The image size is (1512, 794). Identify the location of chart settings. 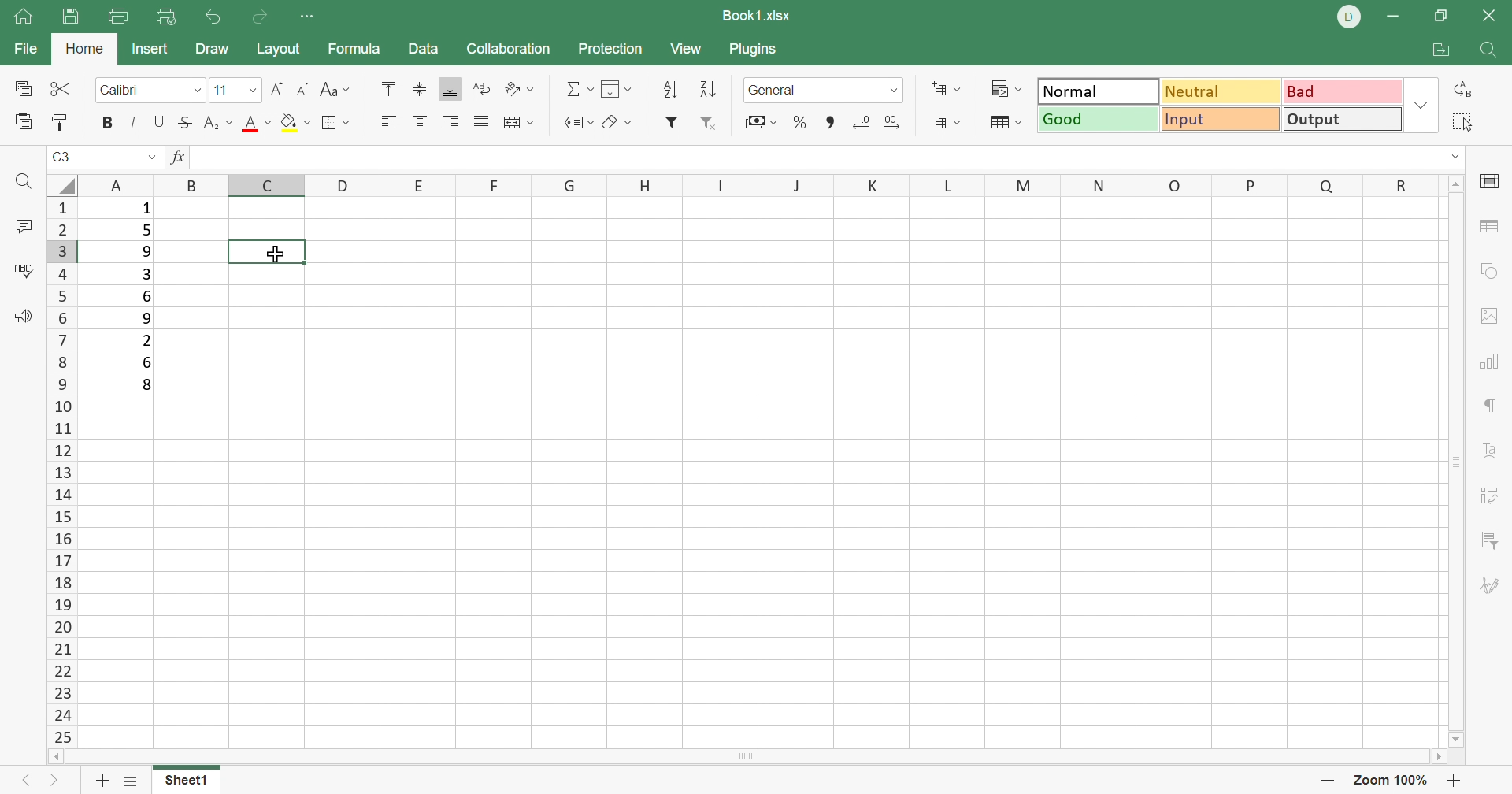
(1491, 363).